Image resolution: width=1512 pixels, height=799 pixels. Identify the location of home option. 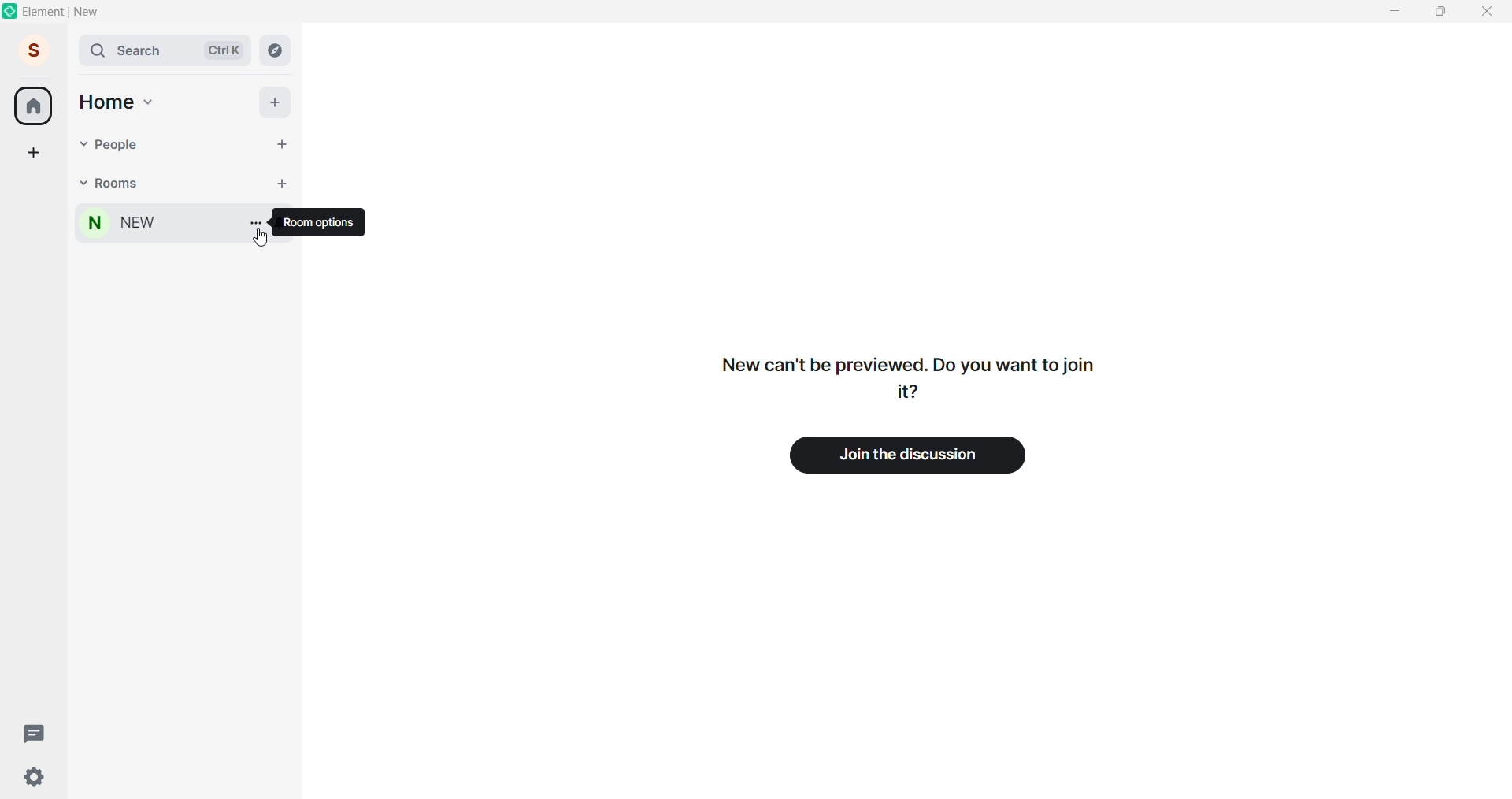
(121, 105).